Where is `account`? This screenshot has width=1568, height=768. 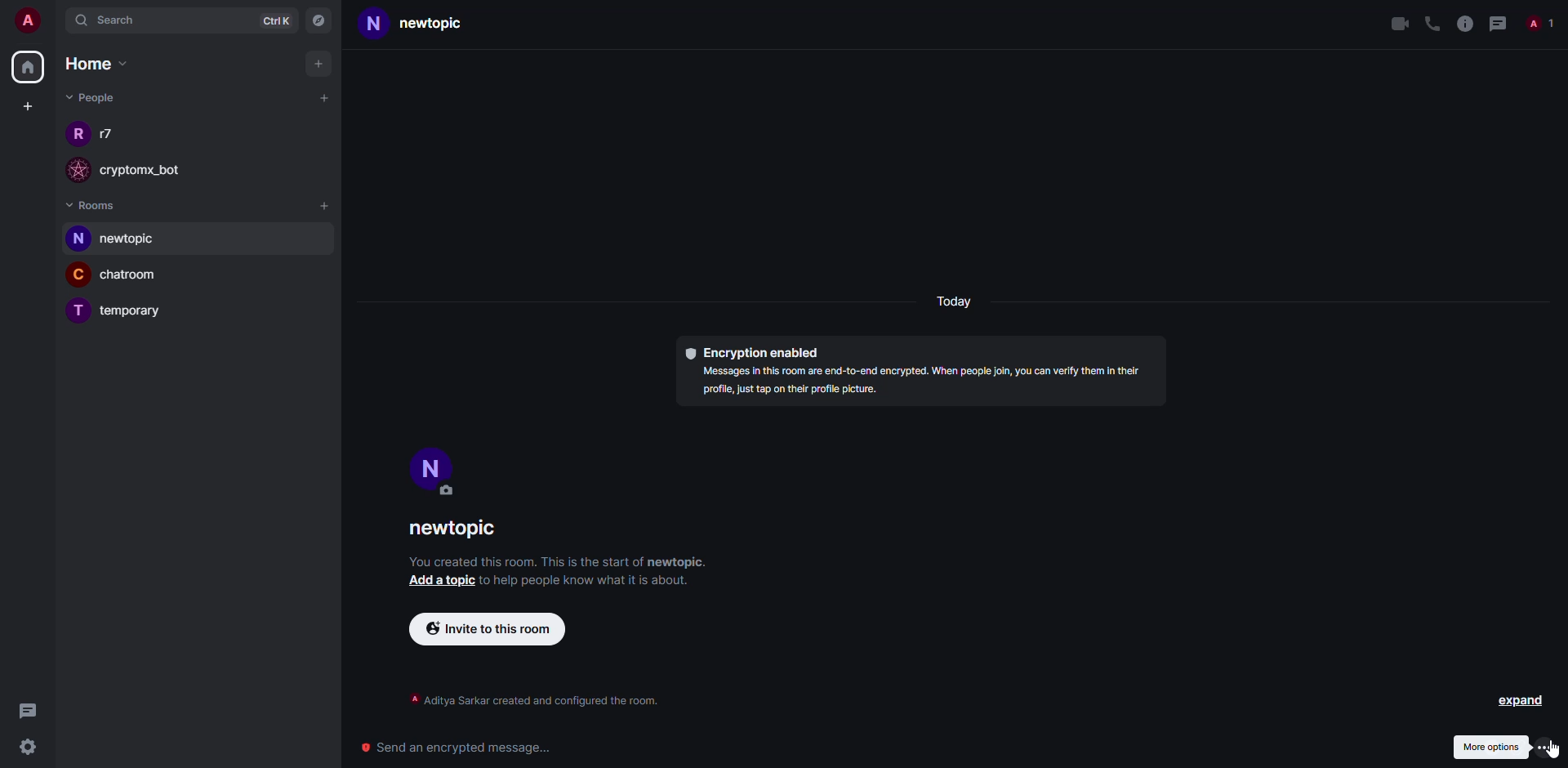 account is located at coordinates (33, 23).